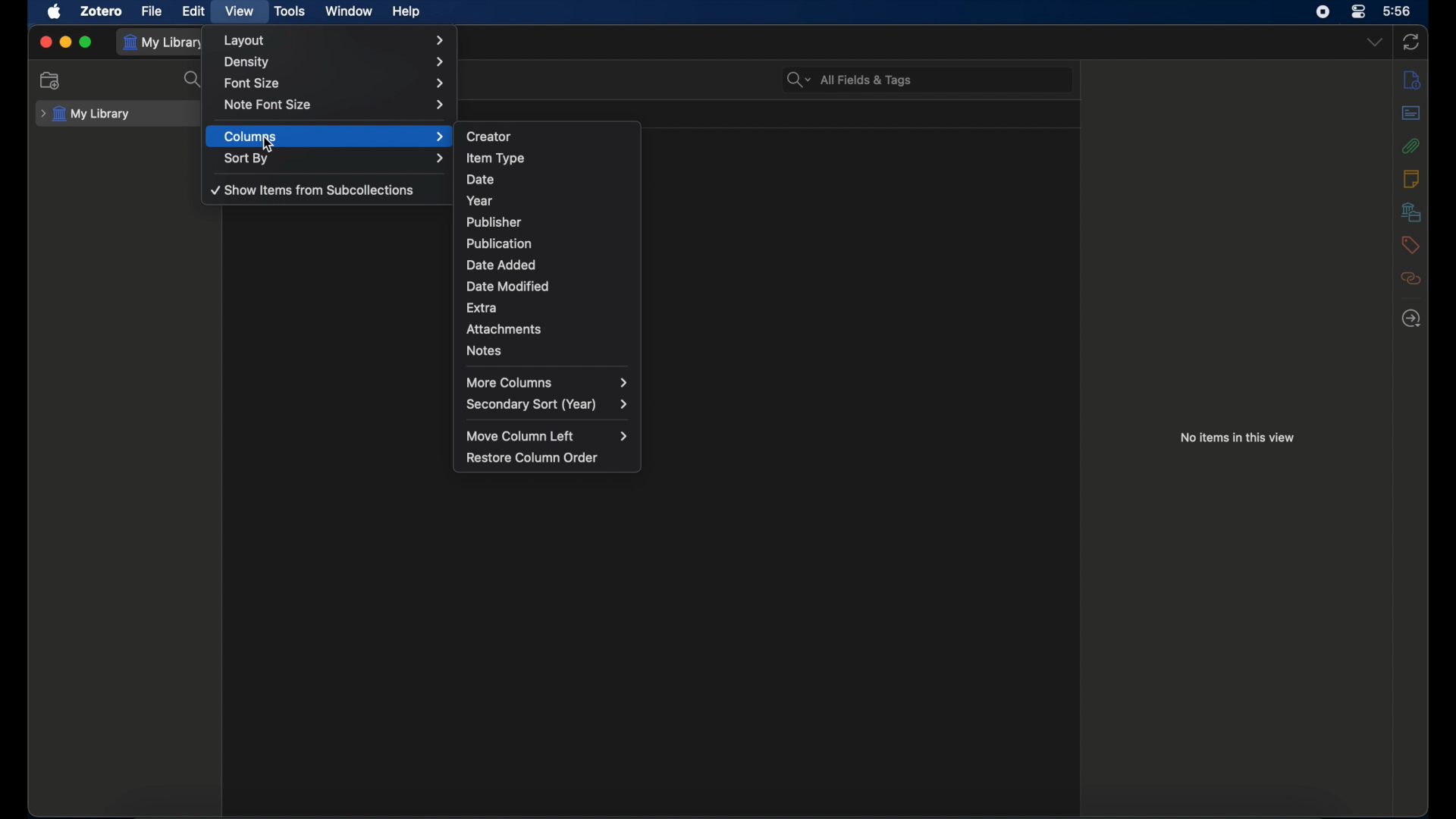  What do you see at coordinates (167, 42) in the screenshot?
I see `my library` at bounding box center [167, 42].